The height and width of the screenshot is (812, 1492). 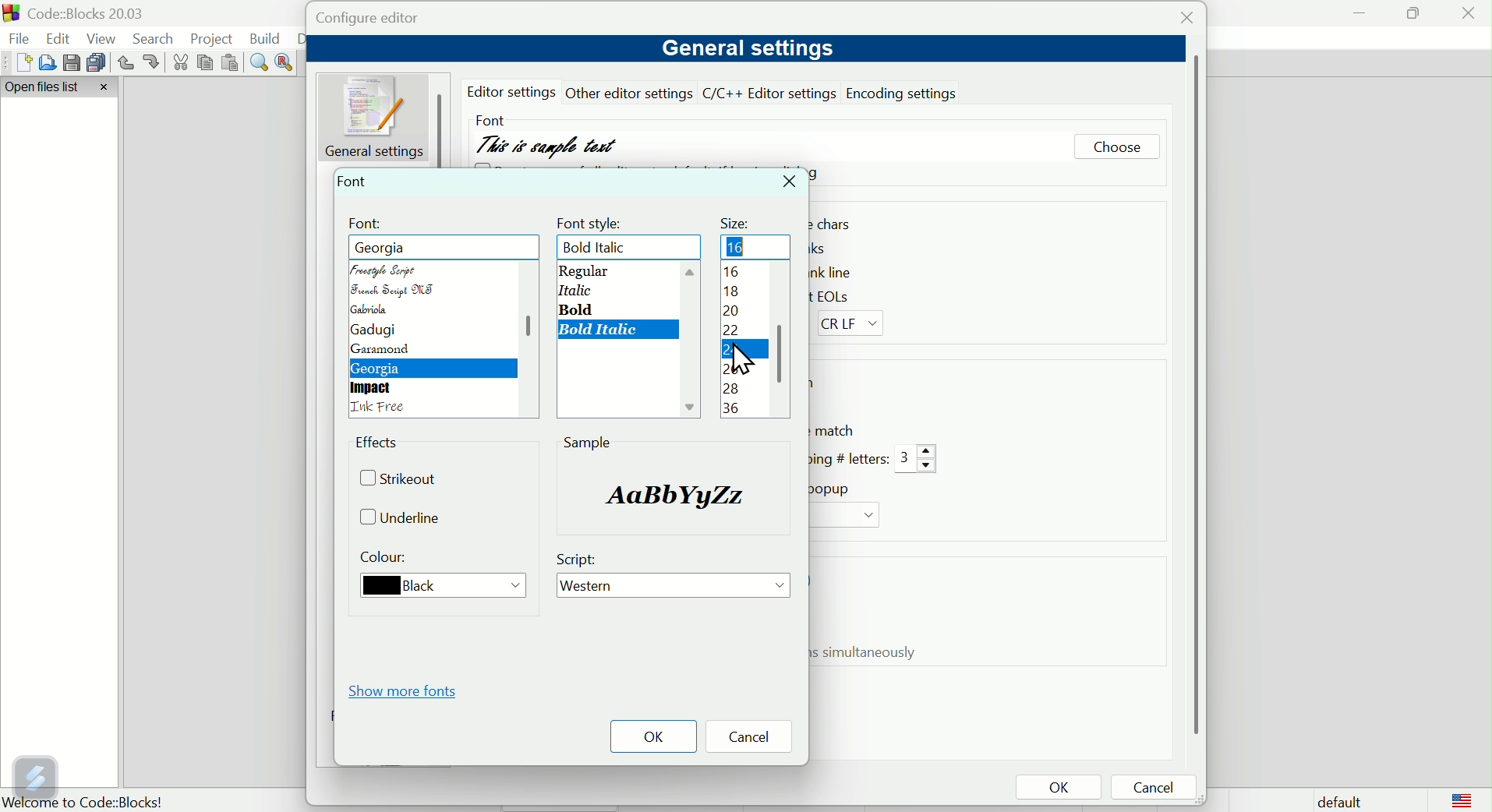 I want to click on Close, so click(x=791, y=182).